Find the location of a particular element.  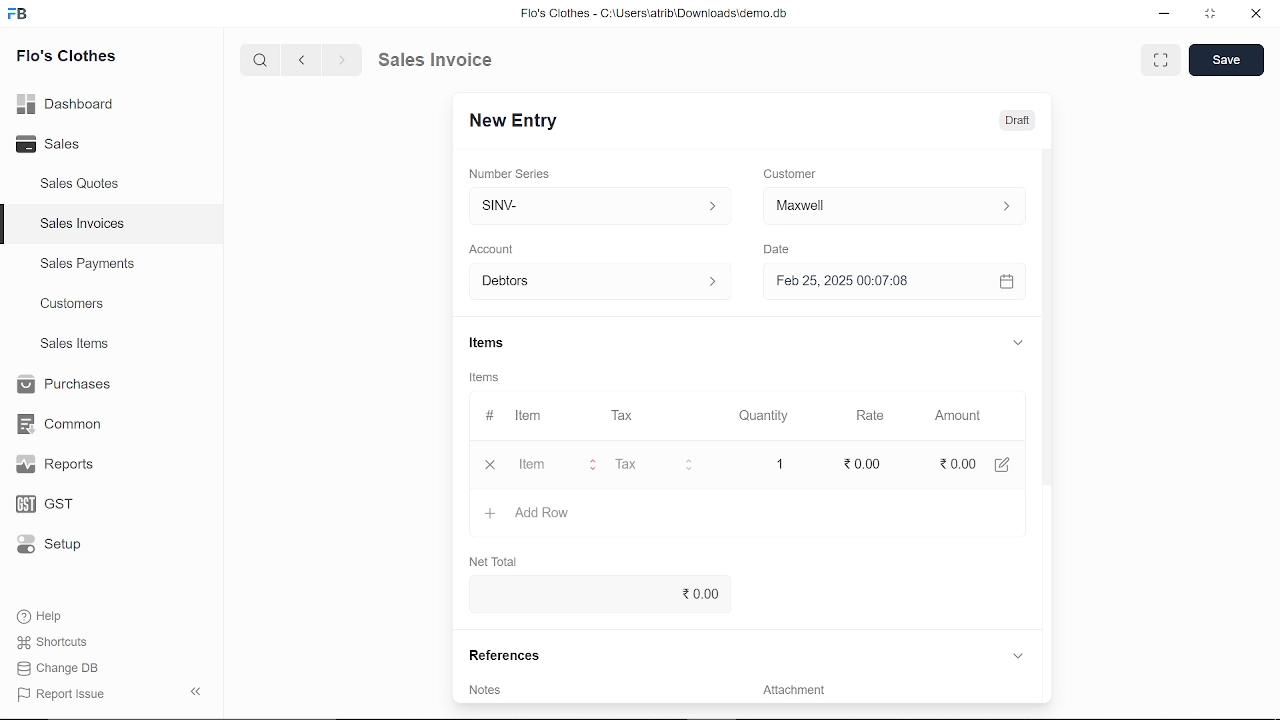

Sales Payments is located at coordinates (87, 264).